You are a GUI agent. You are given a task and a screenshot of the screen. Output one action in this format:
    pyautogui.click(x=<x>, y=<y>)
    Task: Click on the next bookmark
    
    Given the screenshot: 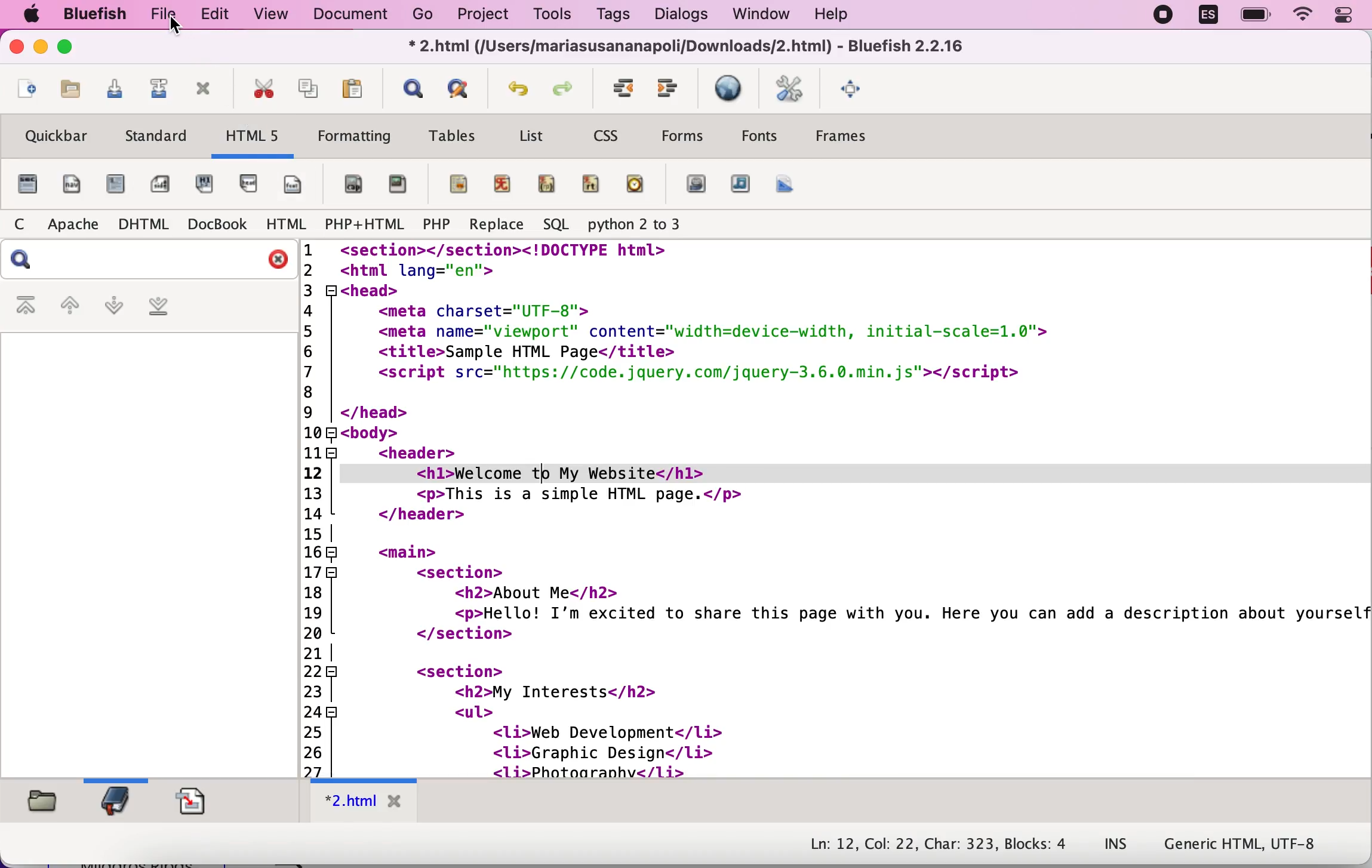 What is the action you would take?
    pyautogui.click(x=112, y=309)
    